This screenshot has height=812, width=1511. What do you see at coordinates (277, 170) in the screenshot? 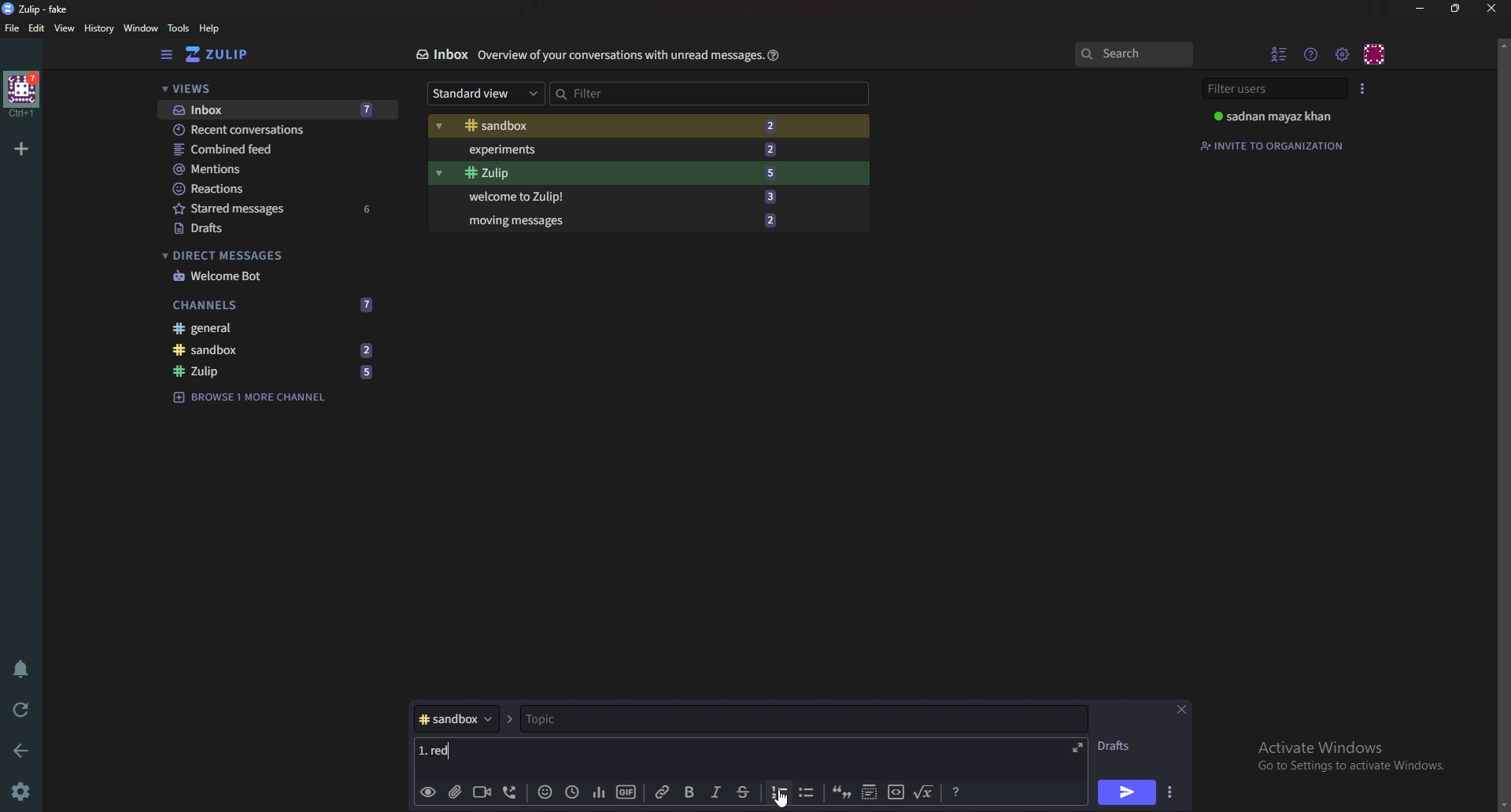
I see `mentions` at bounding box center [277, 170].